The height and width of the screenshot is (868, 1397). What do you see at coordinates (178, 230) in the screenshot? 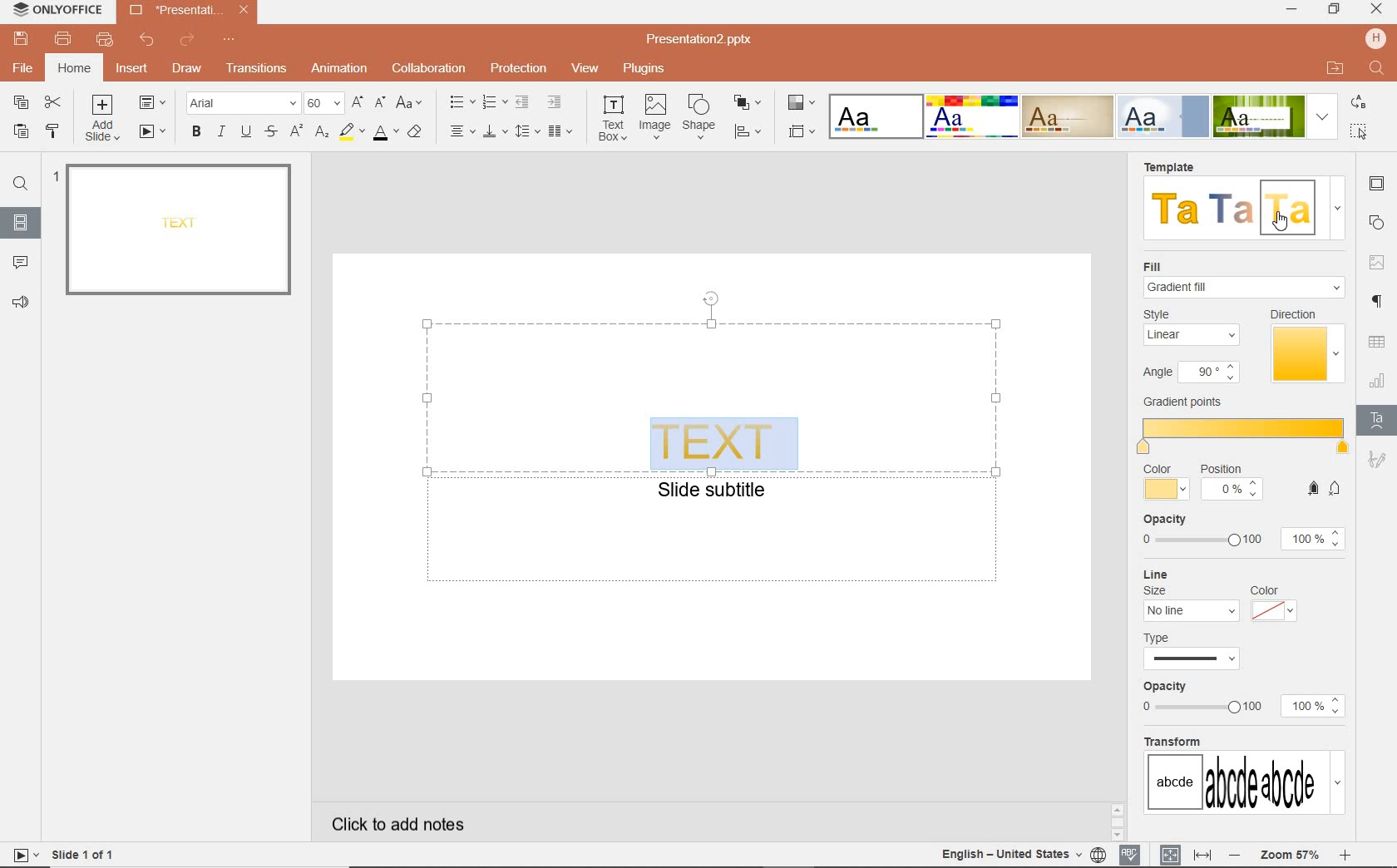
I see `SLIDE1` at bounding box center [178, 230].